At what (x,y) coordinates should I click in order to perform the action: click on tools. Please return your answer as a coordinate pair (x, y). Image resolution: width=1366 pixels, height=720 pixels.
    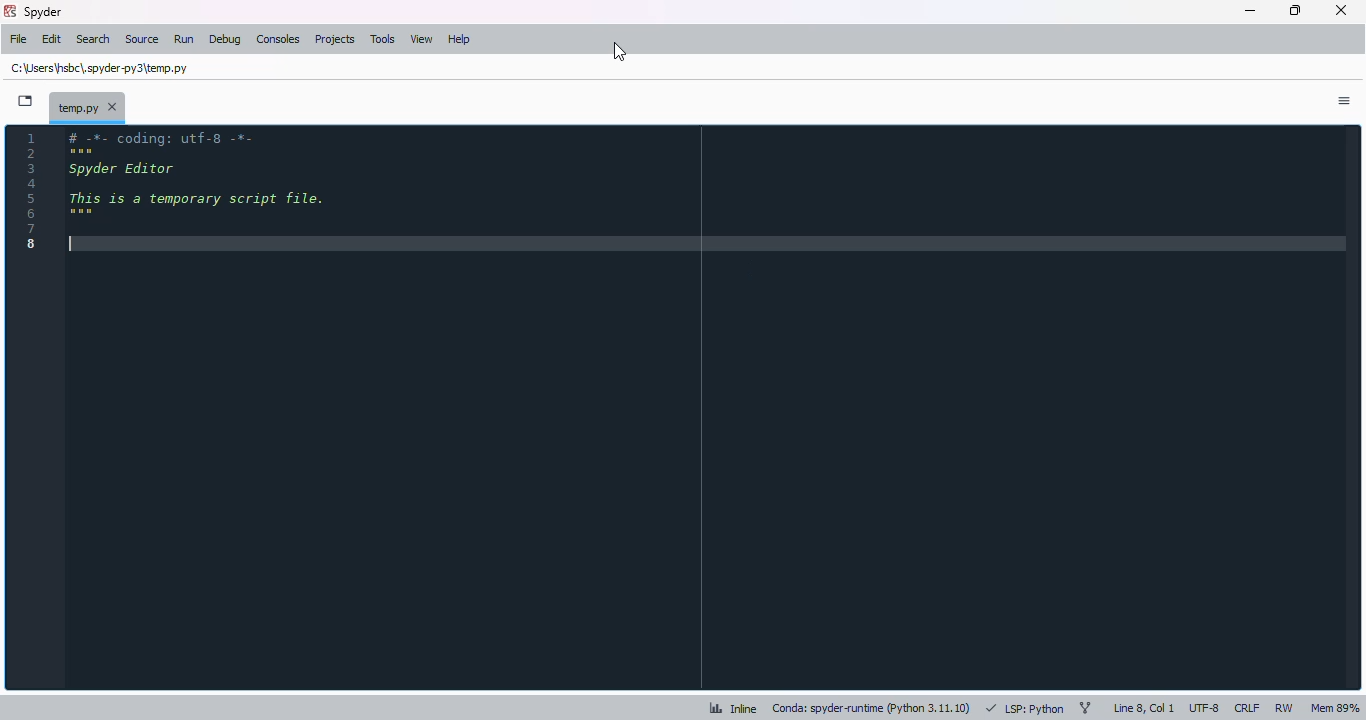
    Looking at the image, I should click on (383, 39).